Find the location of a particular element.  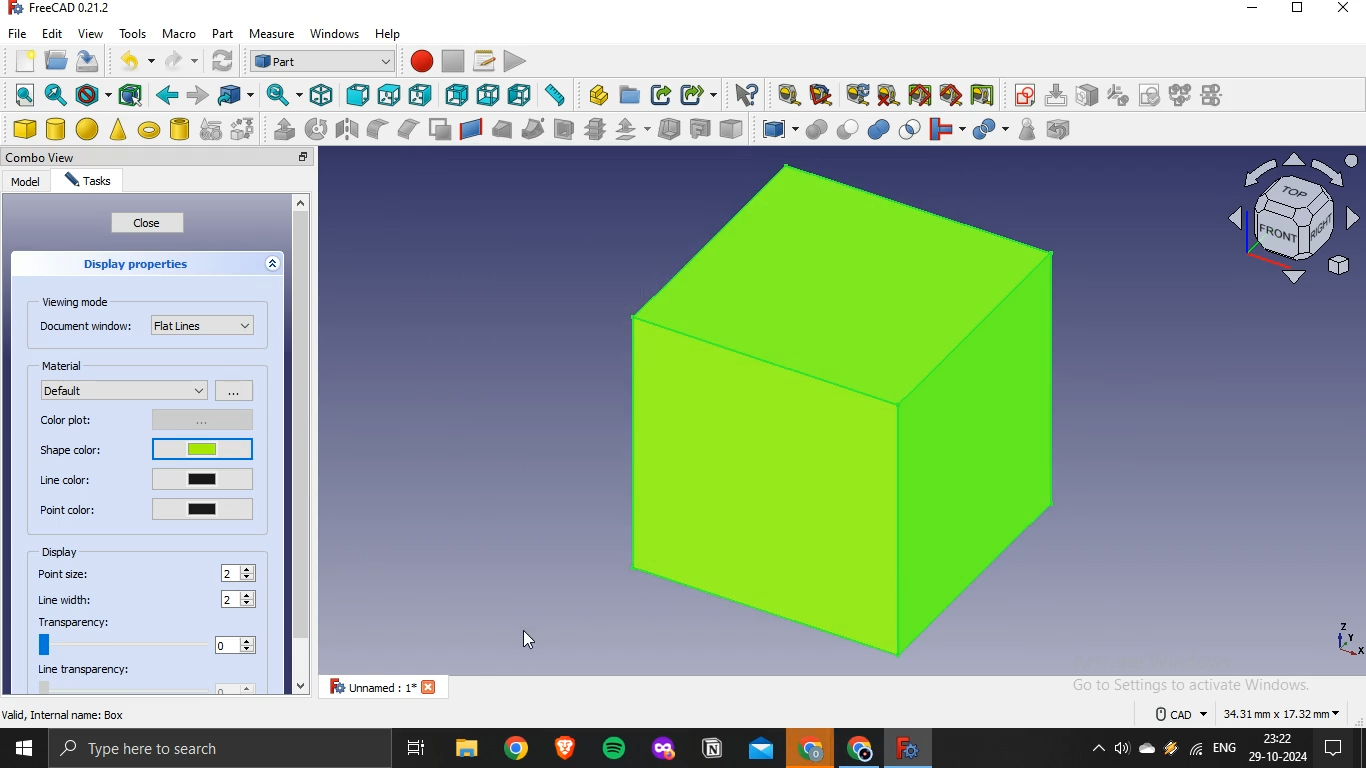

time and date is located at coordinates (1279, 748).